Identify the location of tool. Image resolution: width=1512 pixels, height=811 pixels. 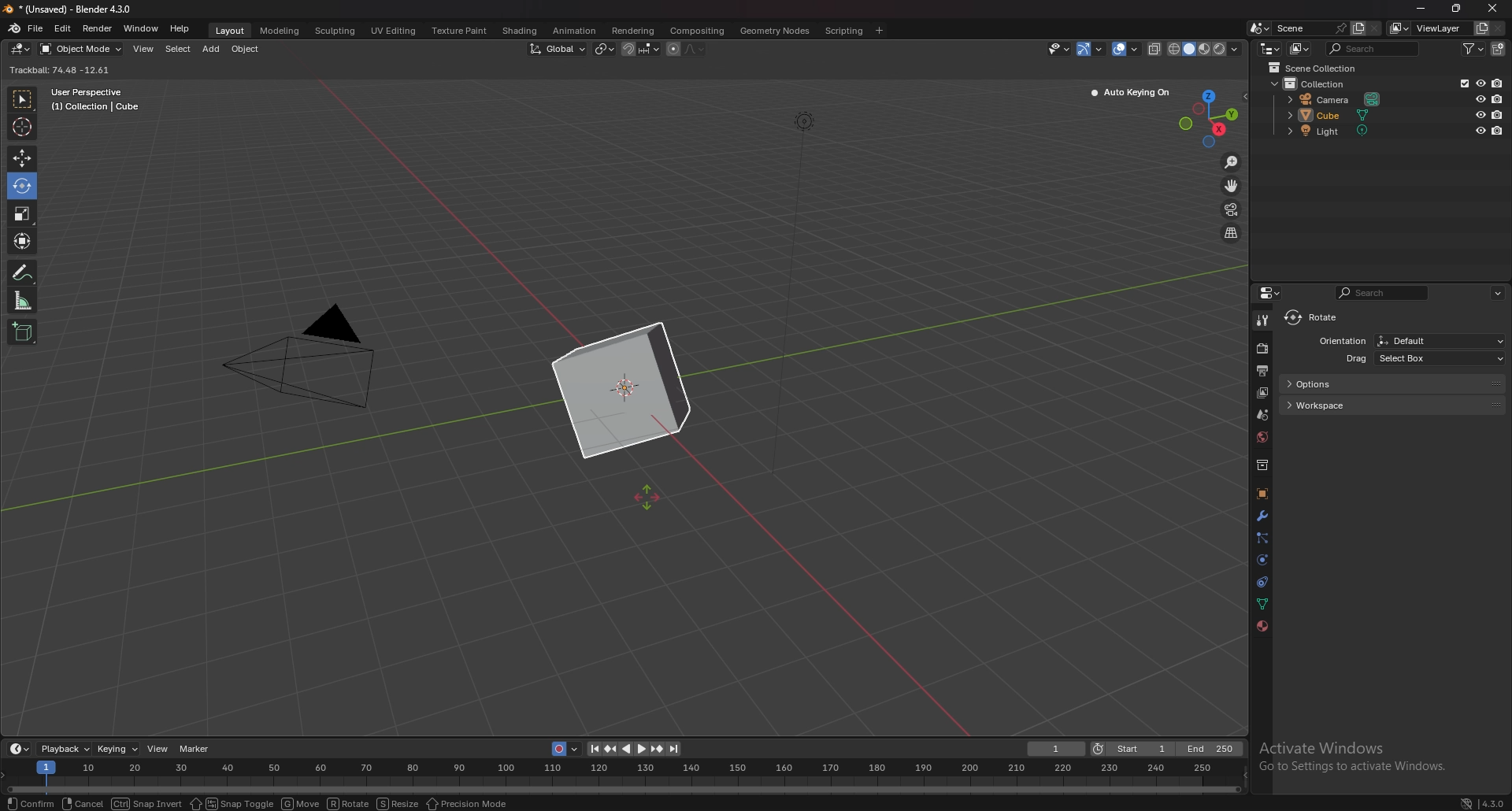
(1262, 321).